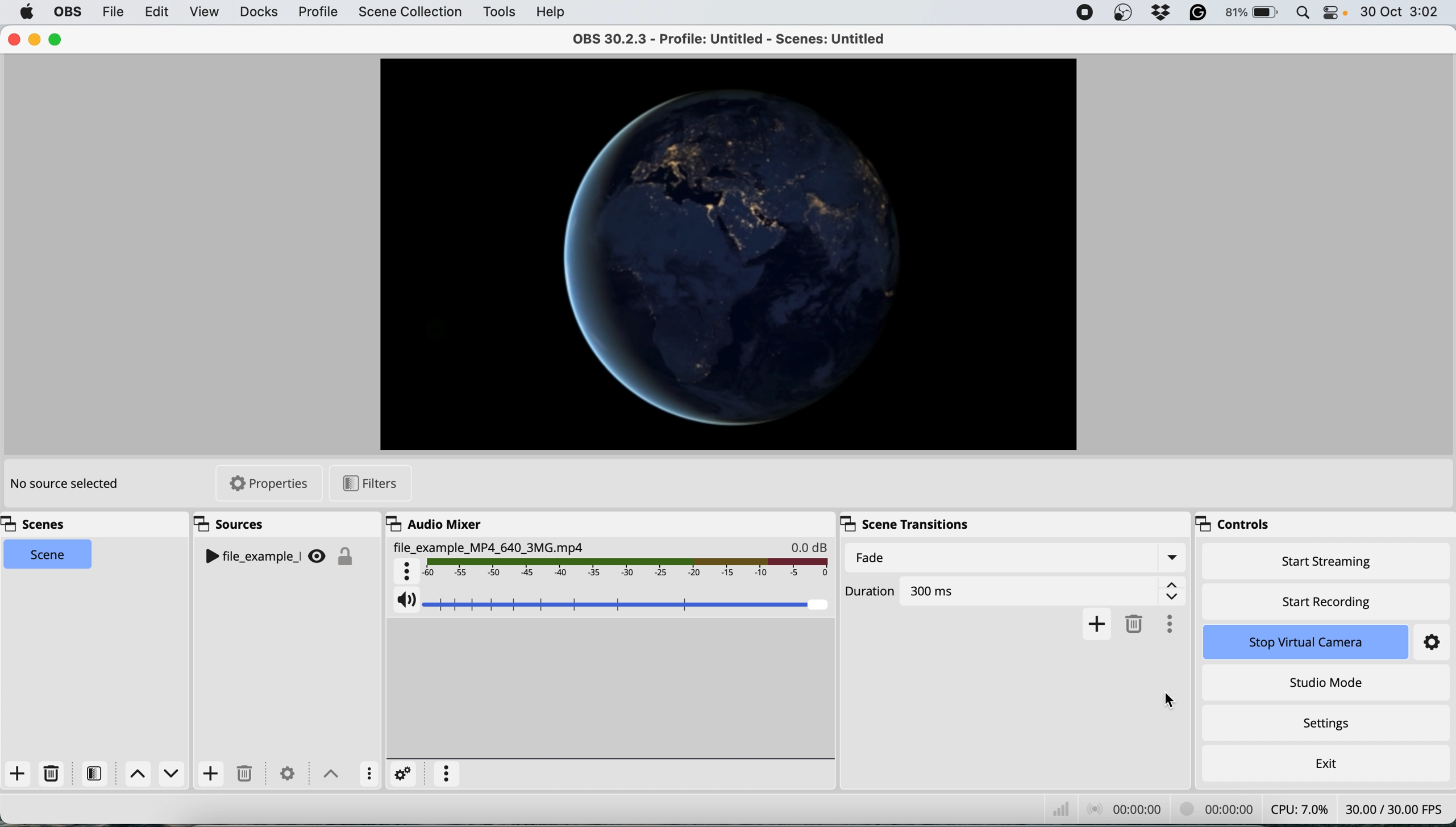 This screenshot has height=827, width=1456. What do you see at coordinates (1401, 11) in the screenshot?
I see `date and time` at bounding box center [1401, 11].